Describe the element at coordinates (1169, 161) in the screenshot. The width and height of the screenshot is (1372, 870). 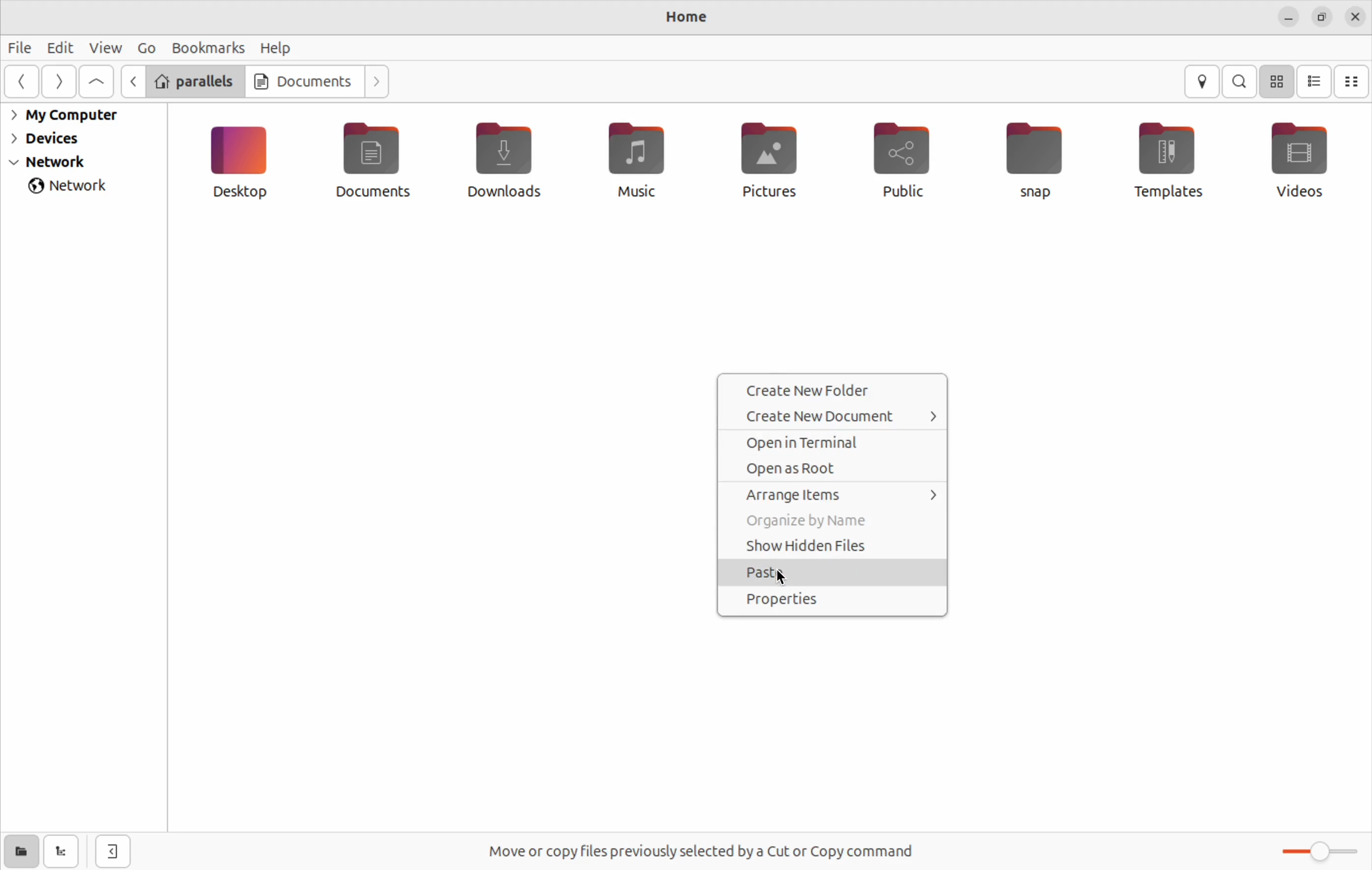
I see `Templates` at that location.